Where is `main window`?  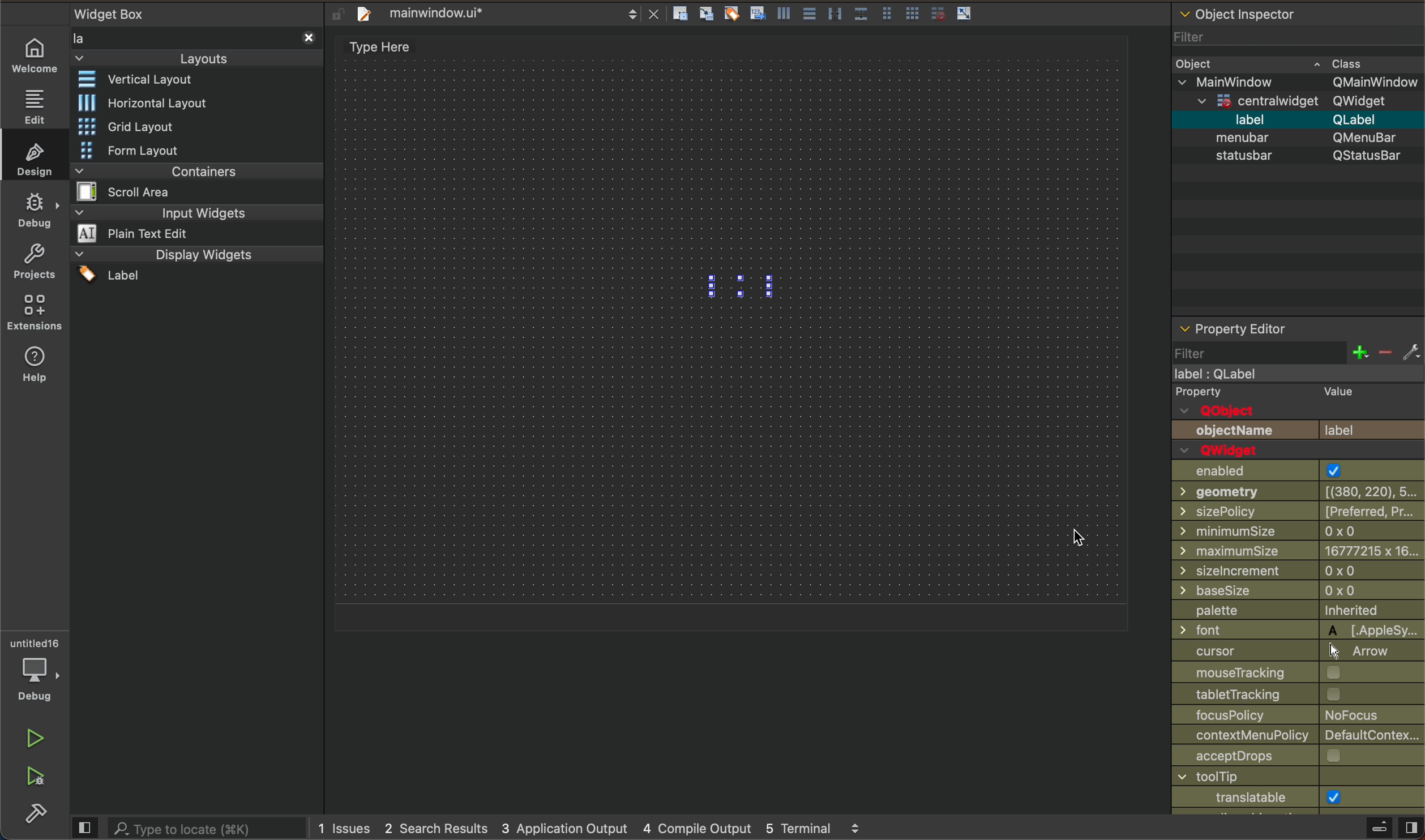
main window is located at coordinates (1293, 374).